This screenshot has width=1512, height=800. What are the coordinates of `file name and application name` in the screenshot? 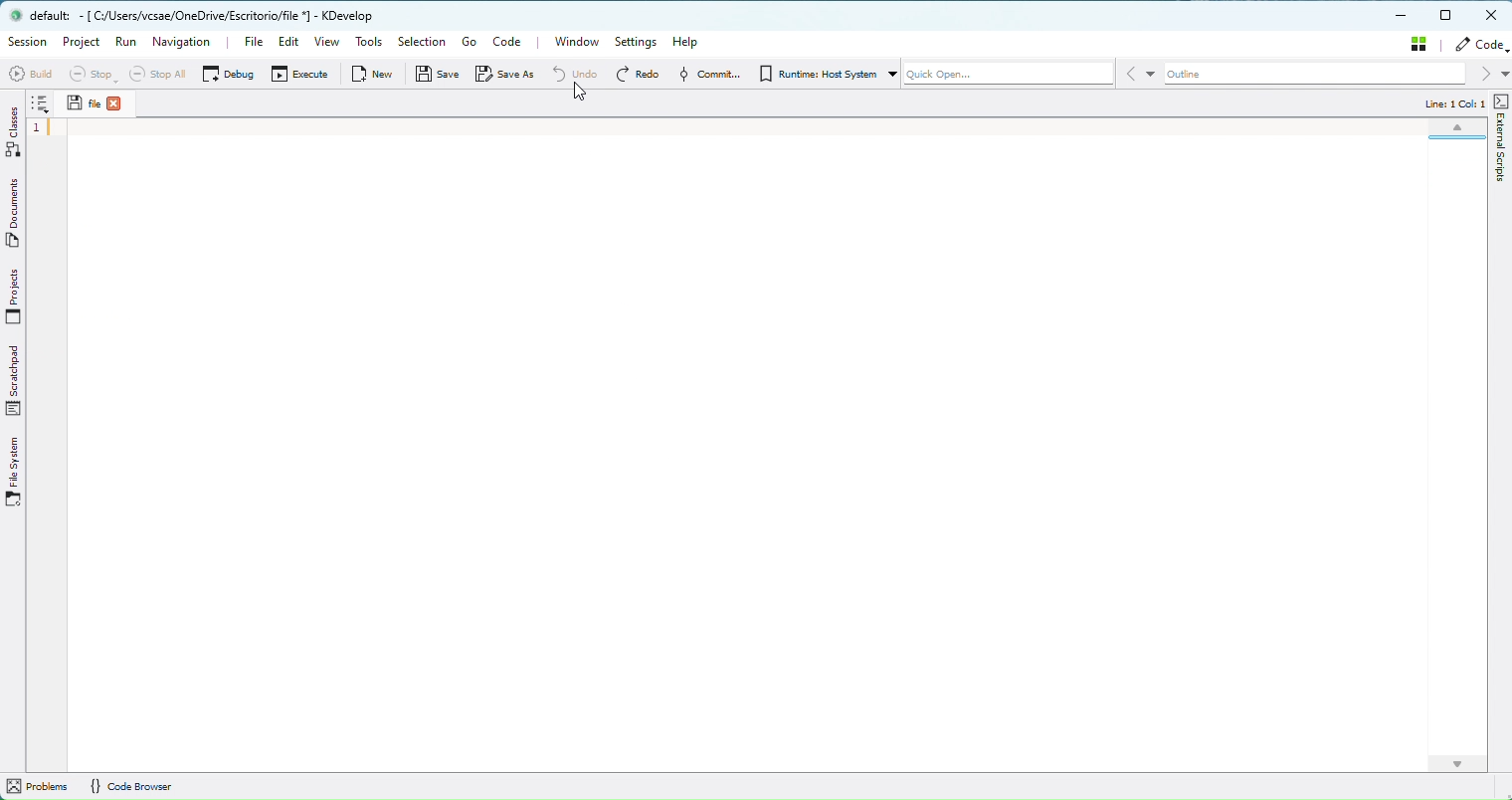 It's located at (188, 14).